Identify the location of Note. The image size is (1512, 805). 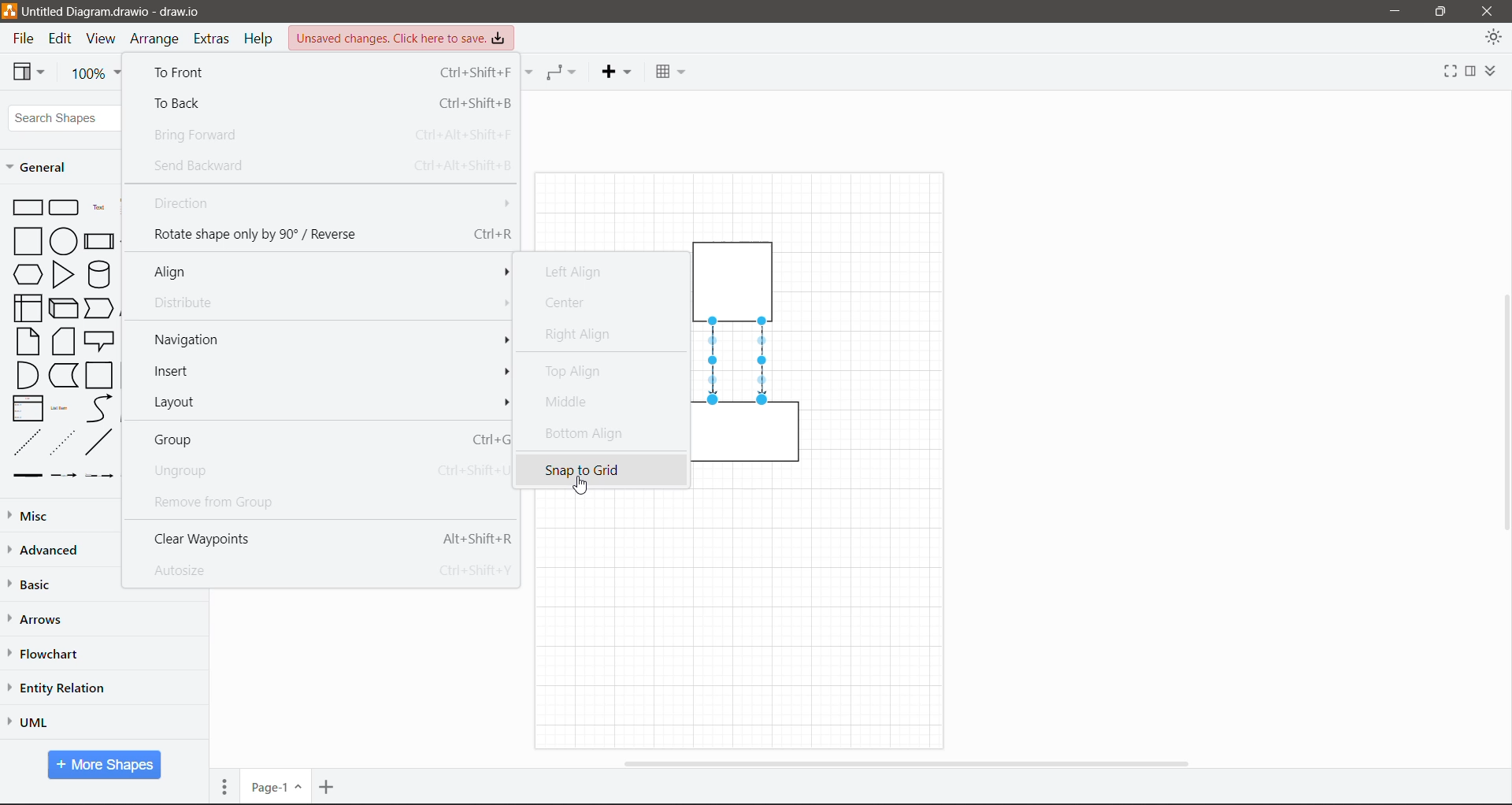
(28, 340).